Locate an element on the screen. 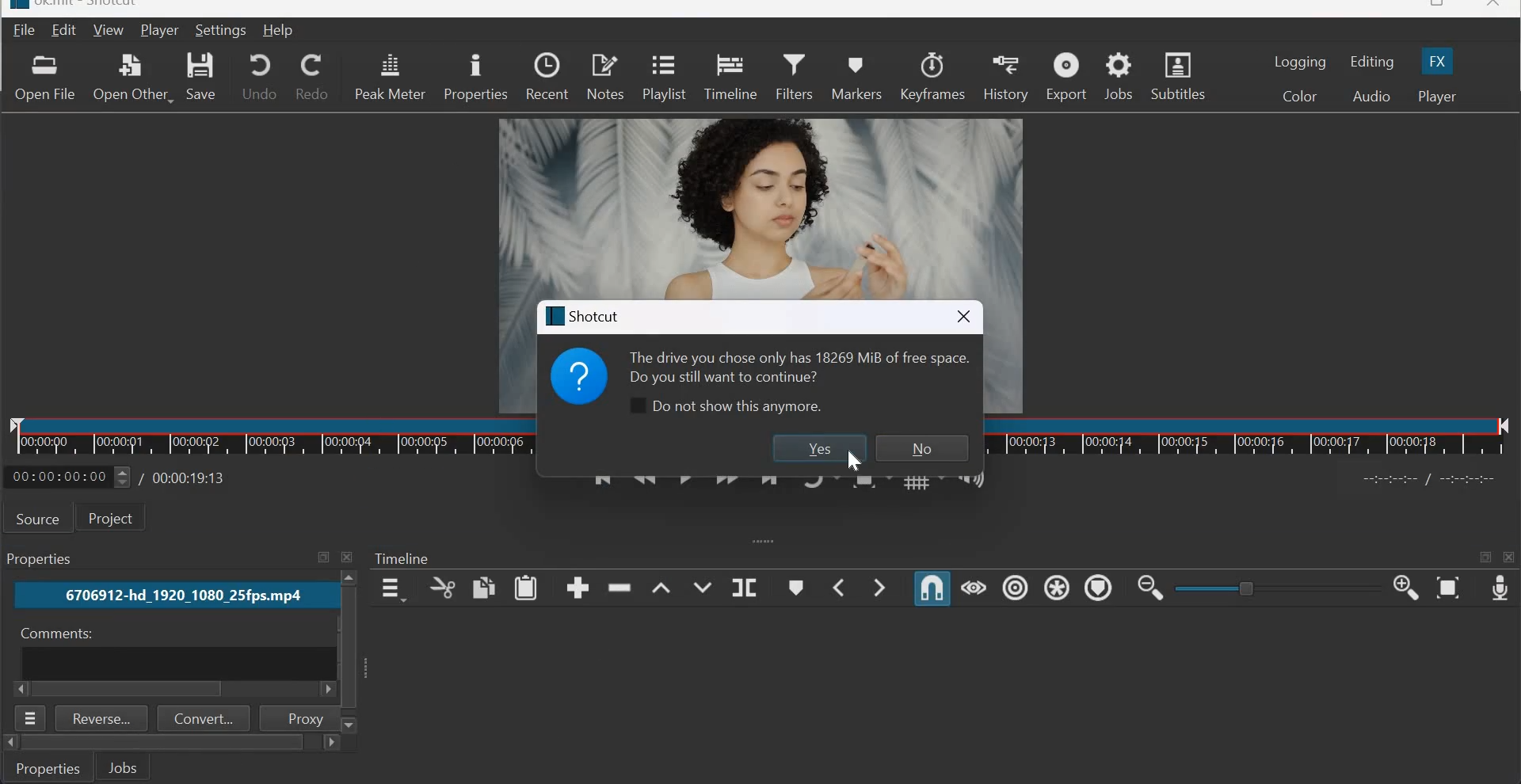 The width and height of the screenshot is (1521, 784). paste is located at coordinates (527, 588).